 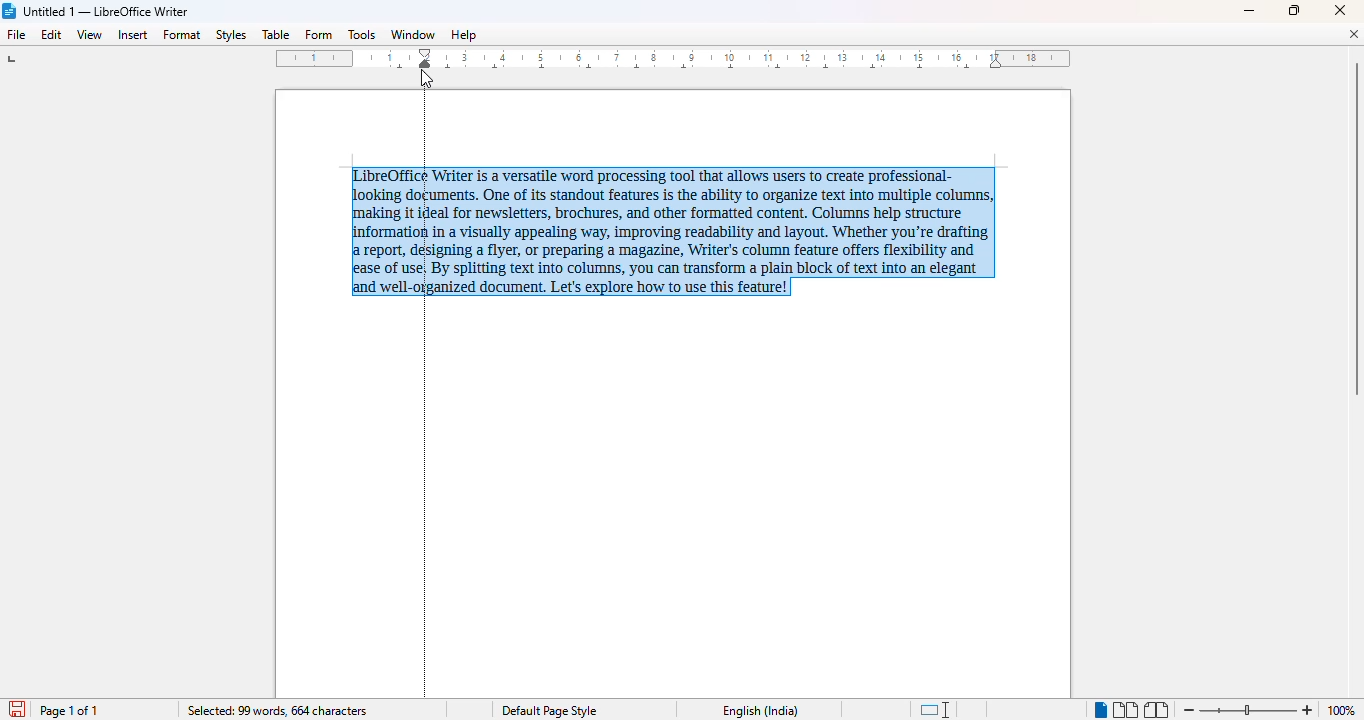 I want to click on standard selection, so click(x=936, y=709).